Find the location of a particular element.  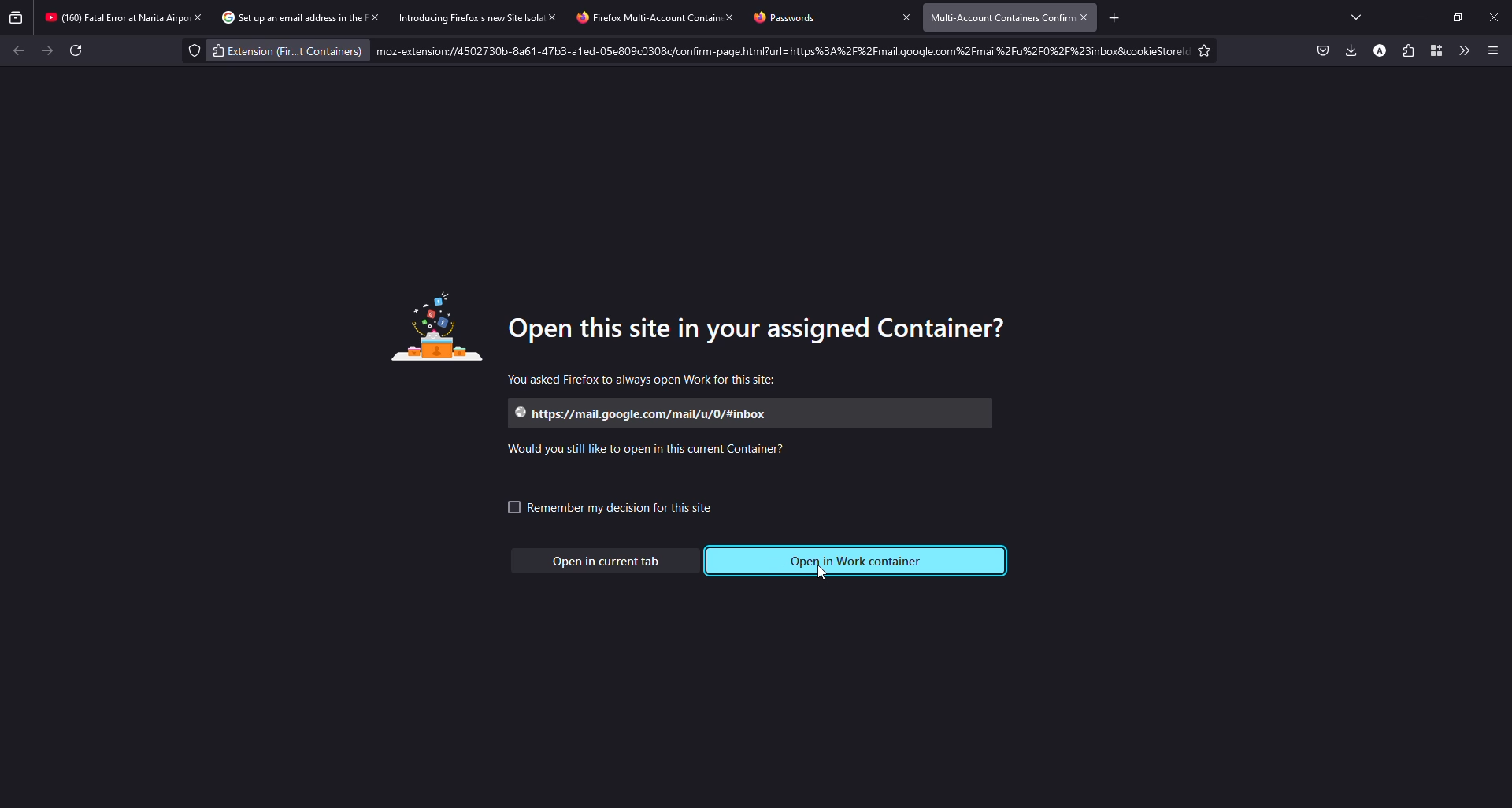

back is located at coordinates (20, 50).